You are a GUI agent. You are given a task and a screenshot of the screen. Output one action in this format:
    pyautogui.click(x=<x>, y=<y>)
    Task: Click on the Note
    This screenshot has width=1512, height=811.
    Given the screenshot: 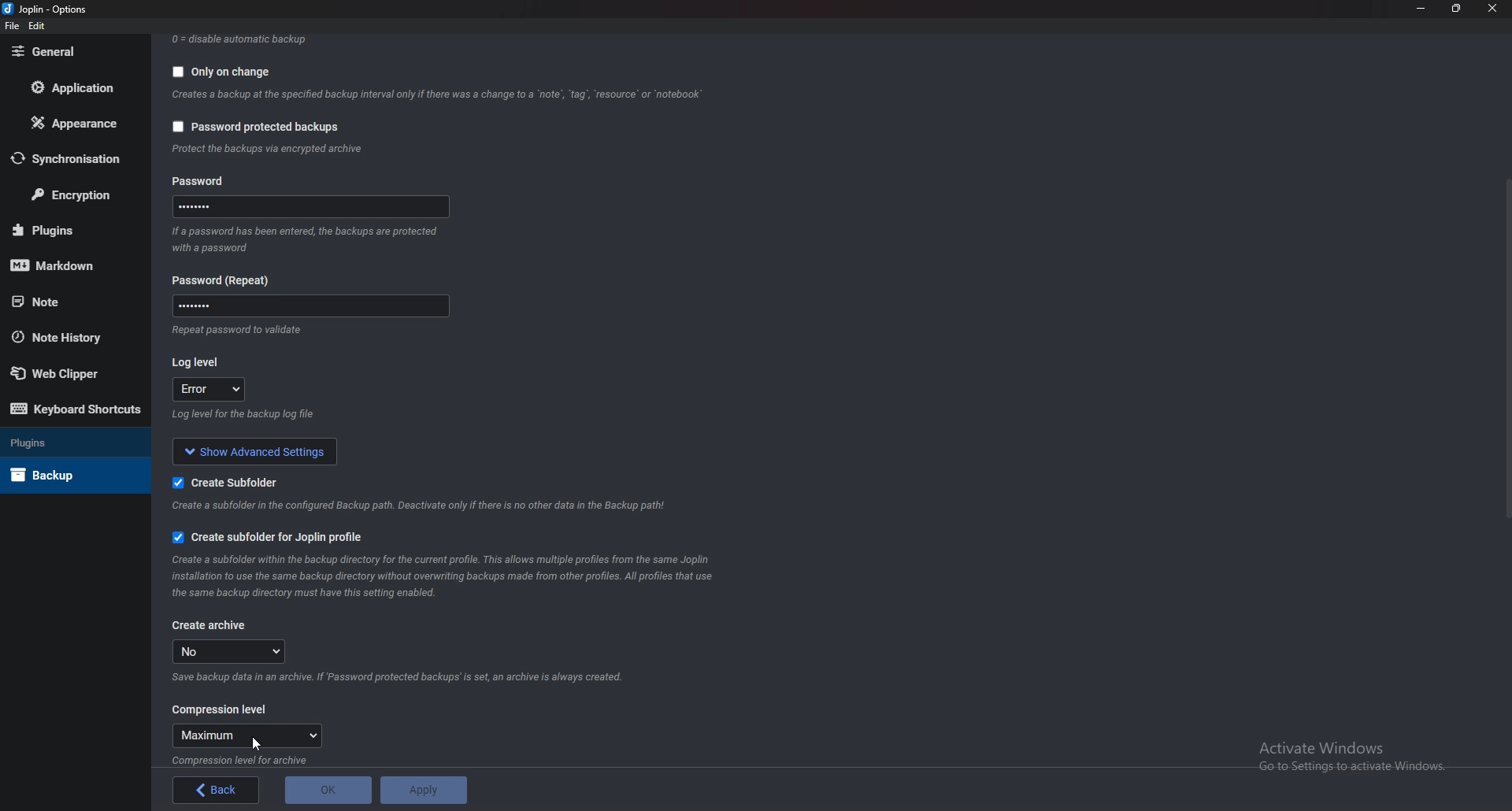 What is the action you would take?
    pyautogui.click(x=70, y=300)
    